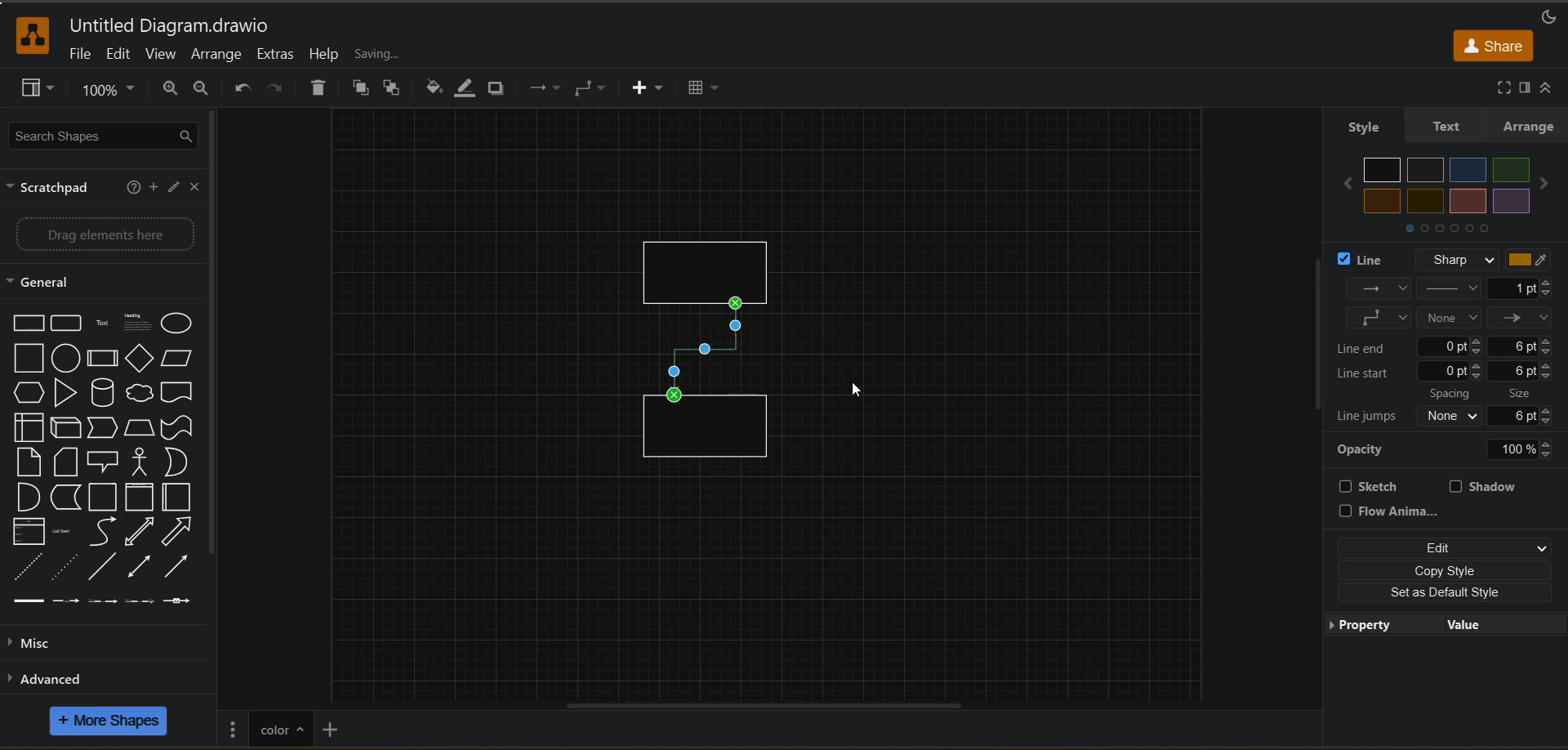 The height and width of the screenshot is (750, 1568). I want to click on Connector with symbol, so click(187, 601).